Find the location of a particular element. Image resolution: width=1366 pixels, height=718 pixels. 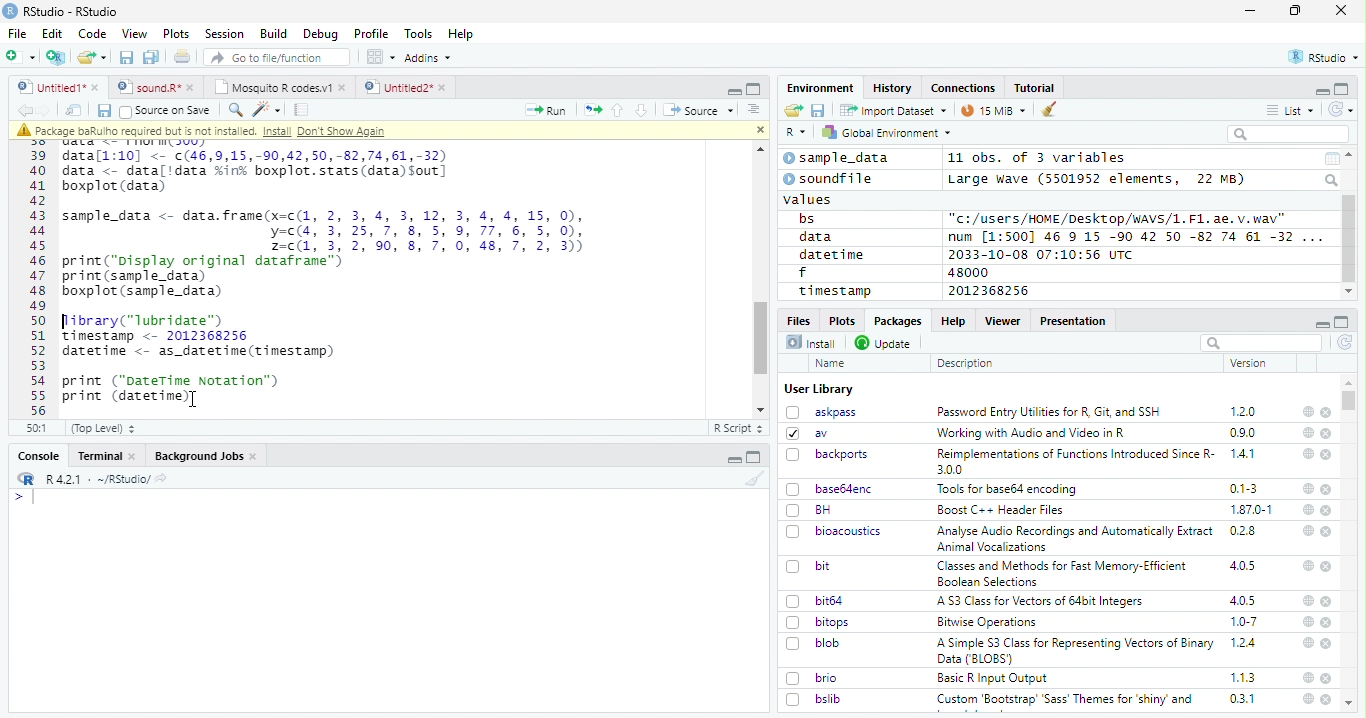

Console is located at coordinates (38, 456).